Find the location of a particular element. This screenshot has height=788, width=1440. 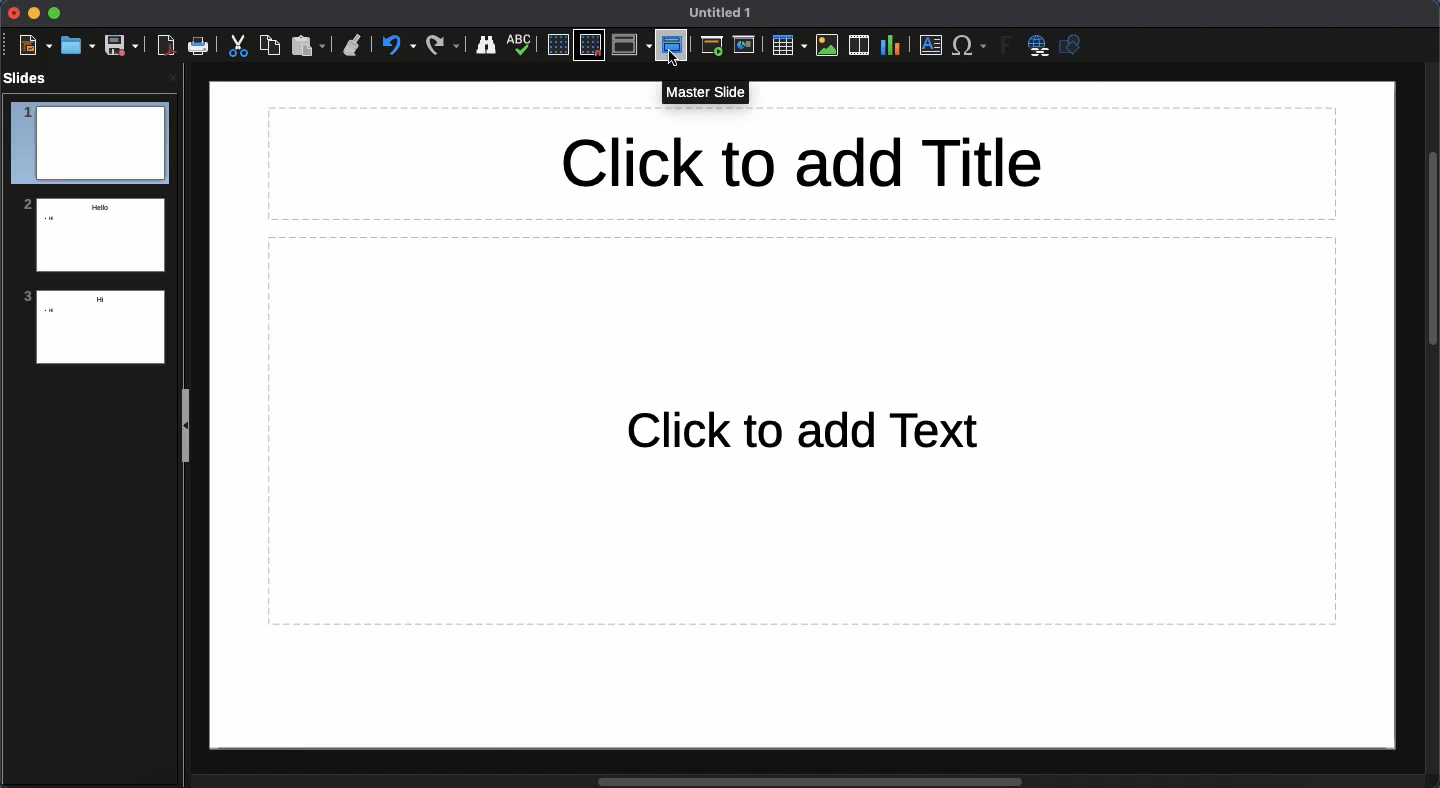

Minimize is located at coordinates (33, 13).